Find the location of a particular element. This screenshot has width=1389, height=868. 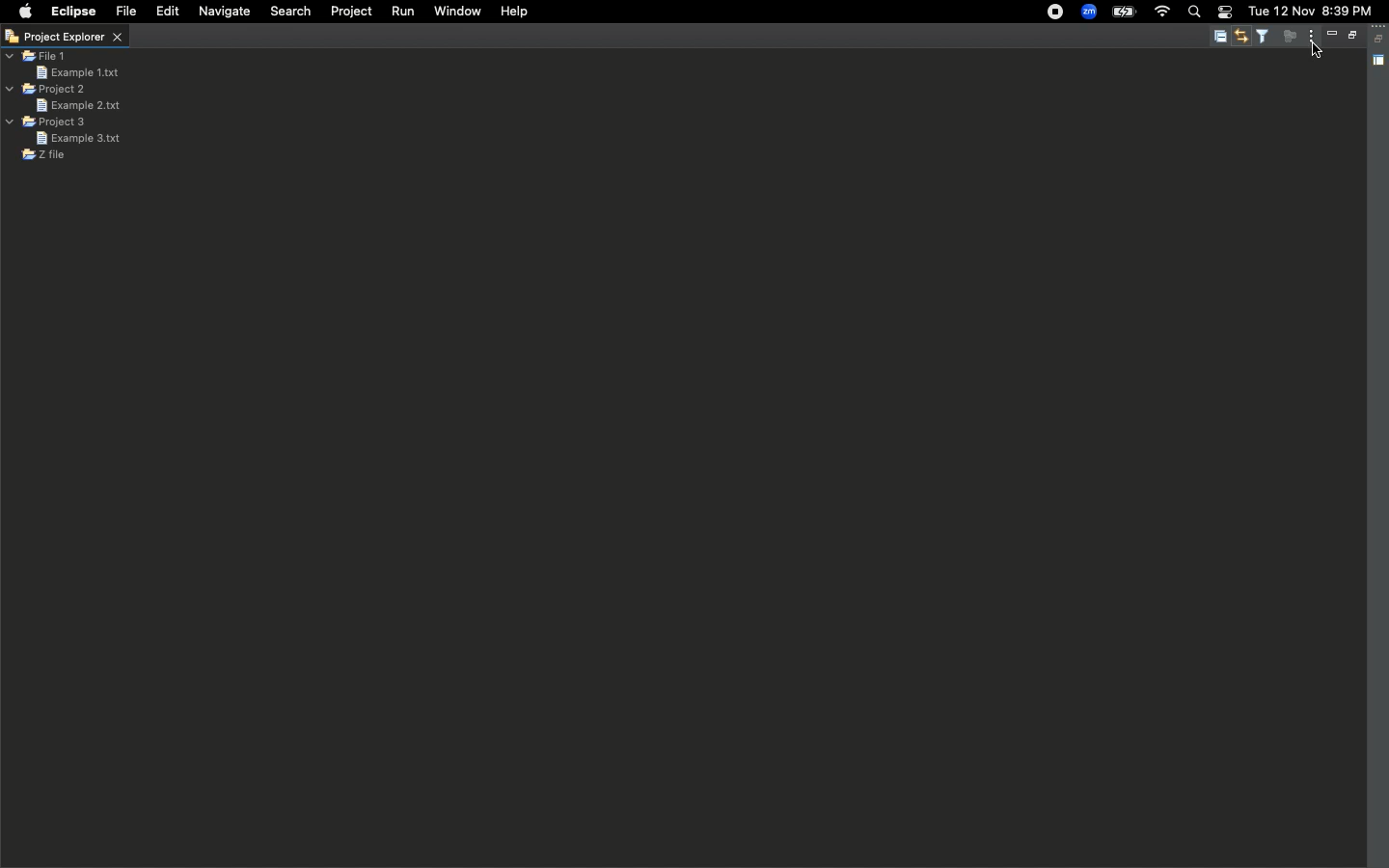

Shared area is located at coordinates (1380, 62).